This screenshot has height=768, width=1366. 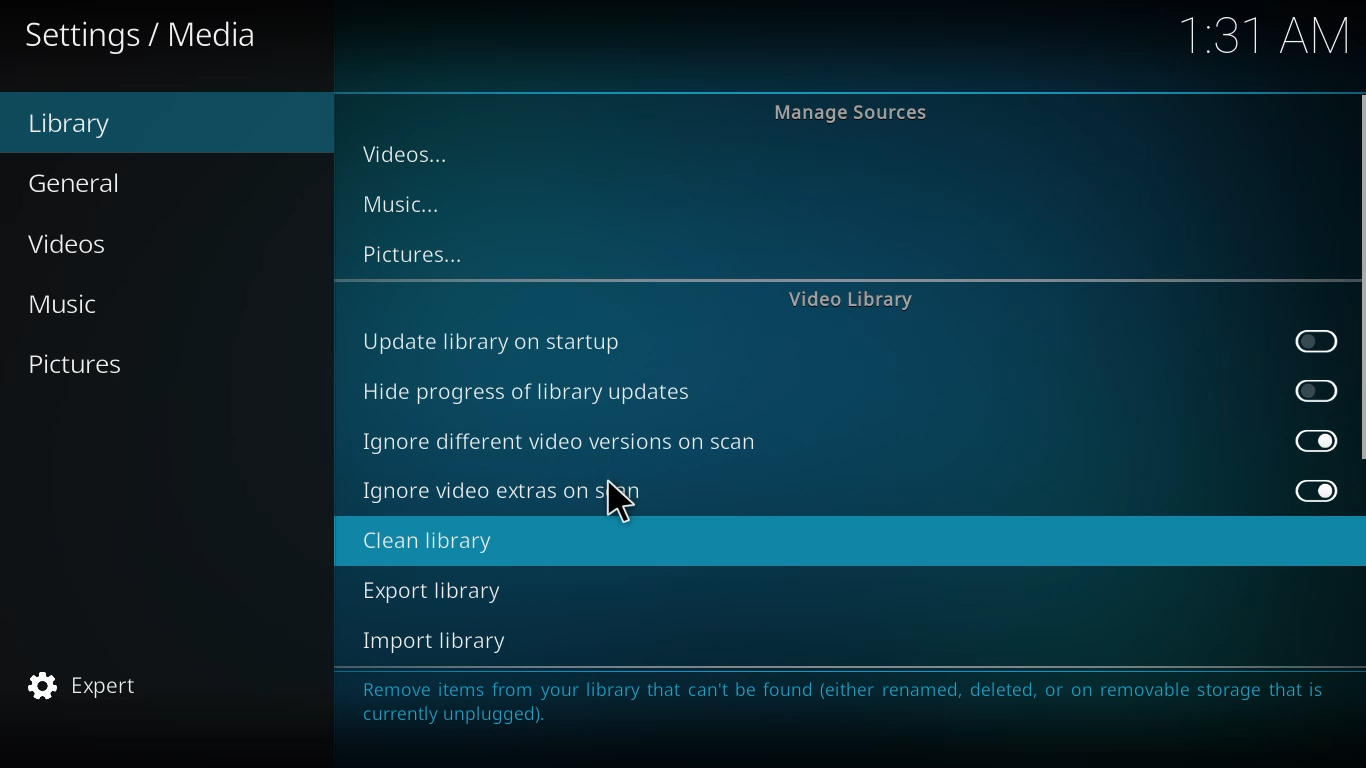 I want to click on enabled, so click(x=1317, y=492).